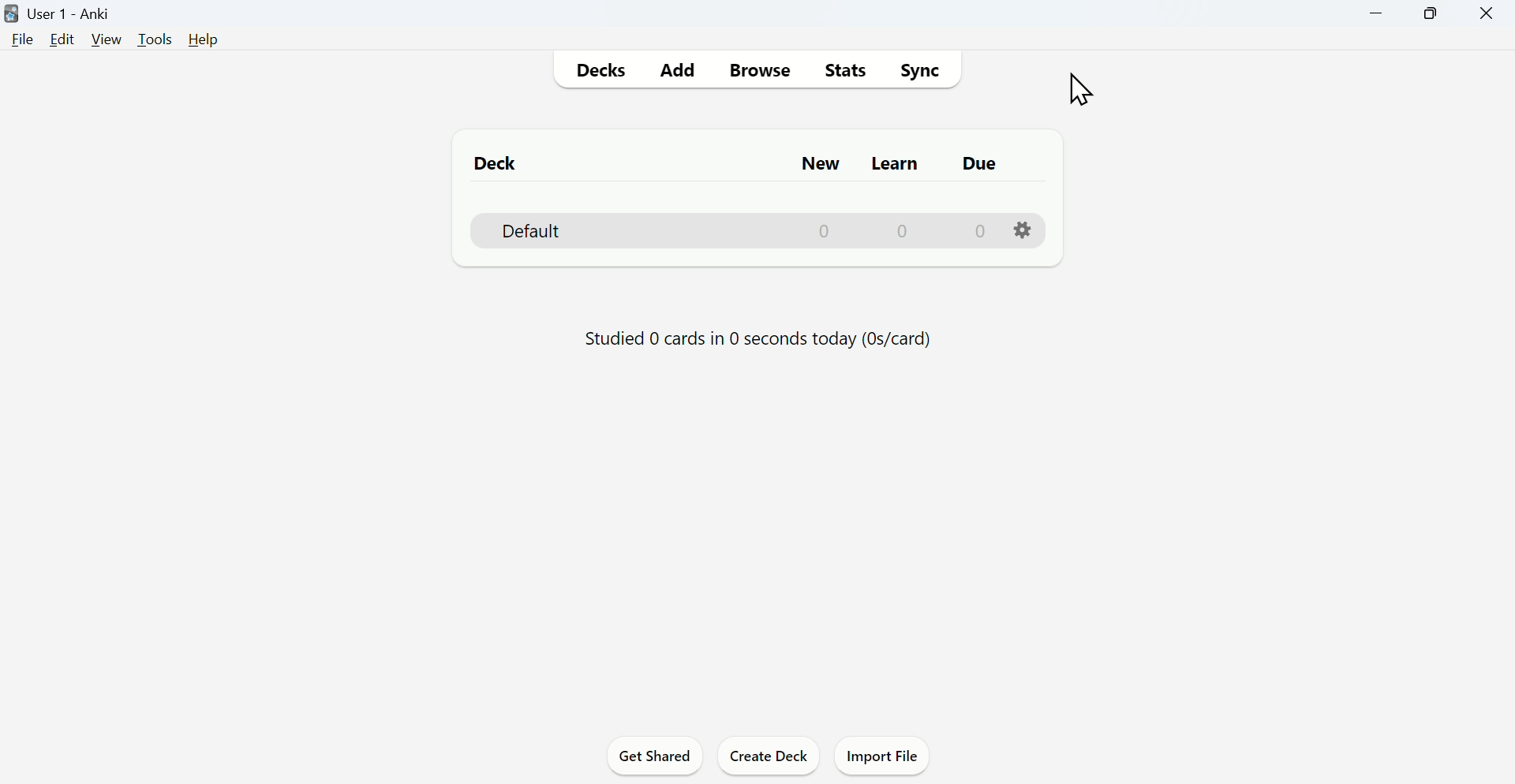 This screenshot has width=1515, height=784. What do you see at coordinates (1024, 230) in the screenshot?
I see `Settings` at bounding box center [1024, 230].